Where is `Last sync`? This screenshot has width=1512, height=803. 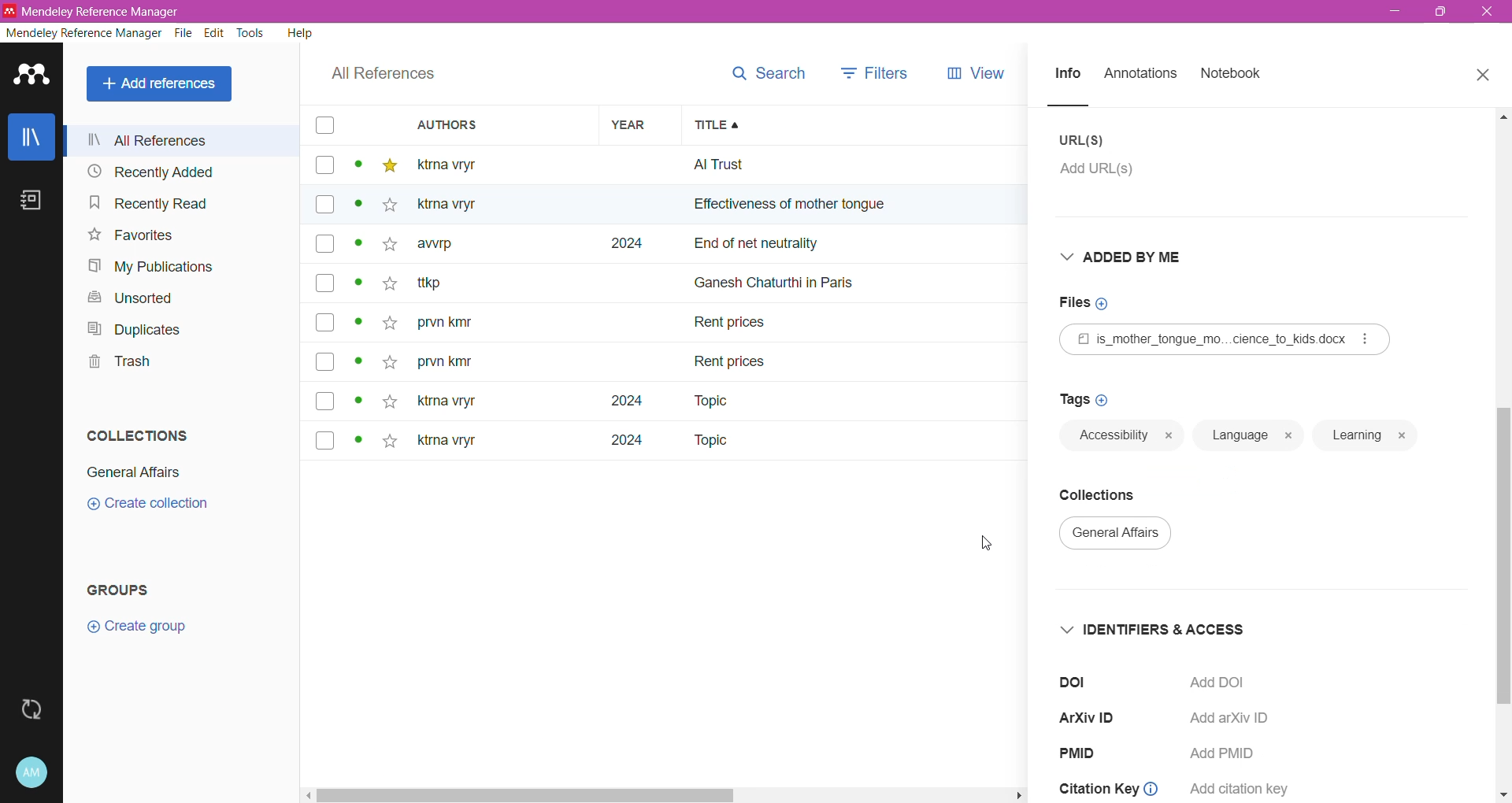
Last sync is located at coordinates (31, 710).